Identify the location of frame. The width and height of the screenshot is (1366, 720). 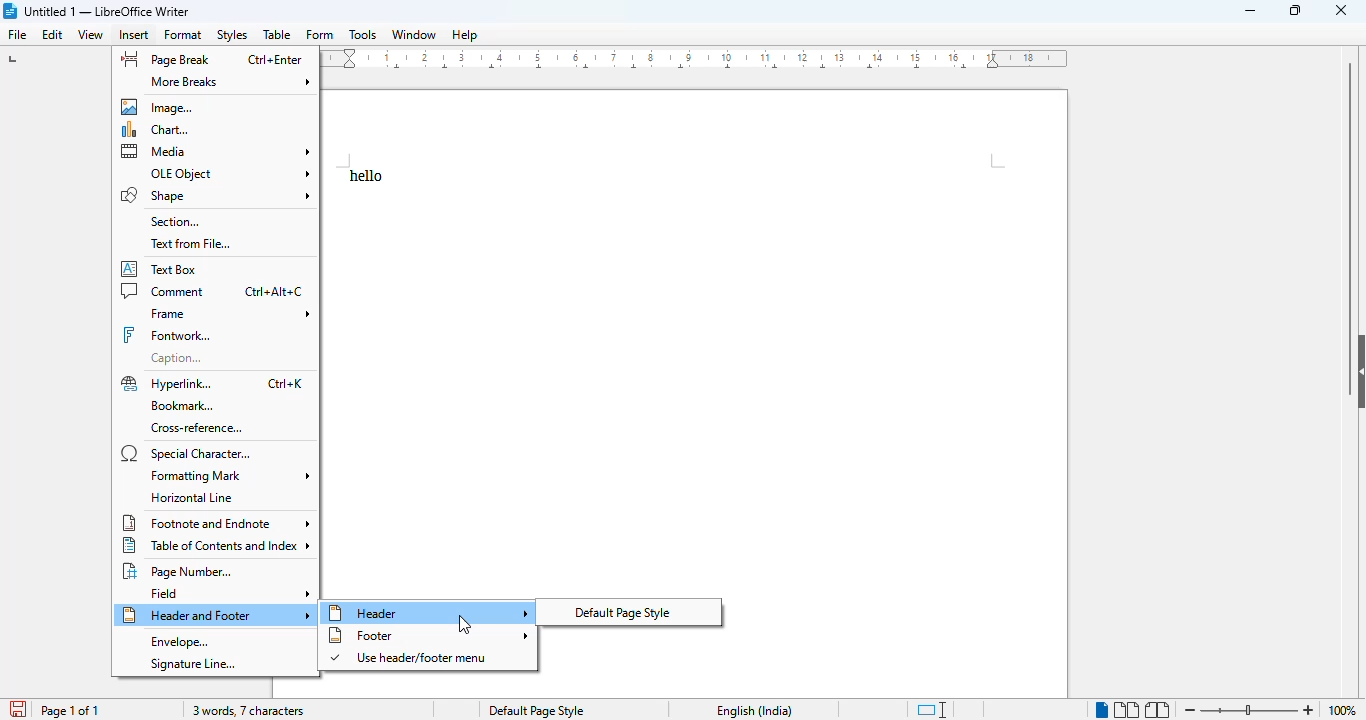
(229, 314).